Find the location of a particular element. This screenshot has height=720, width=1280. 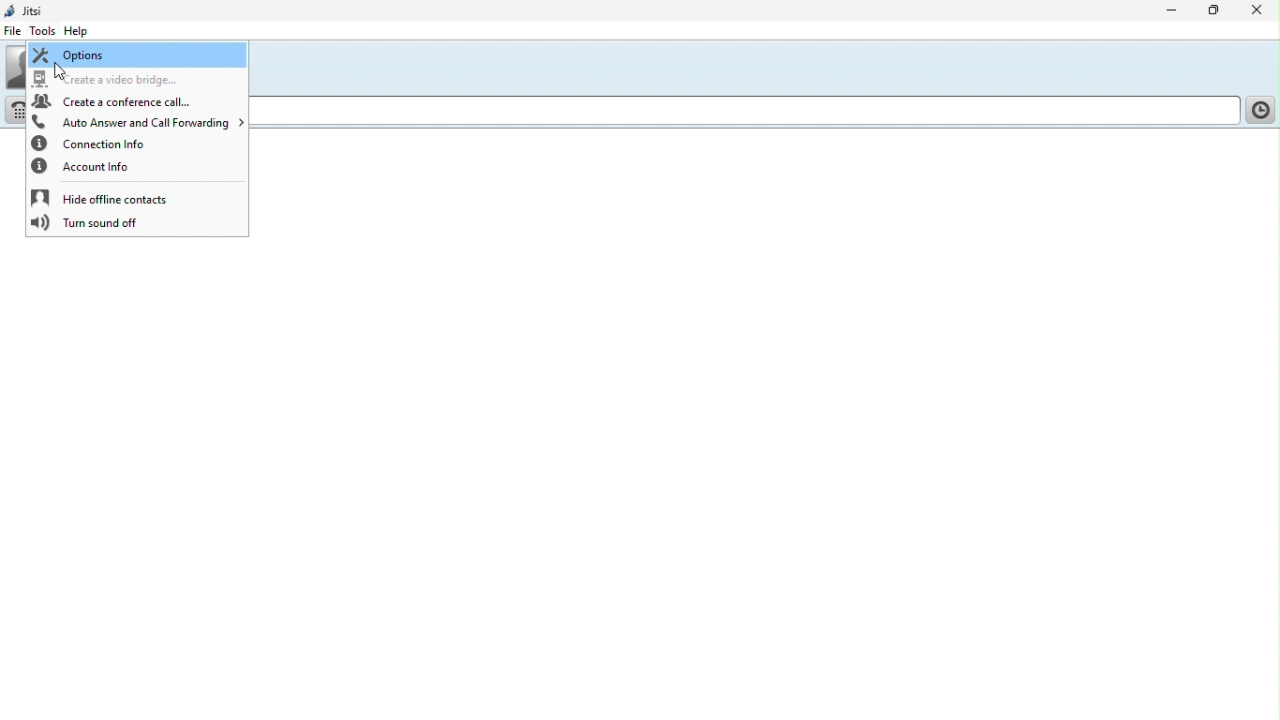

Create a conference call is located at coordinates (125, 100).